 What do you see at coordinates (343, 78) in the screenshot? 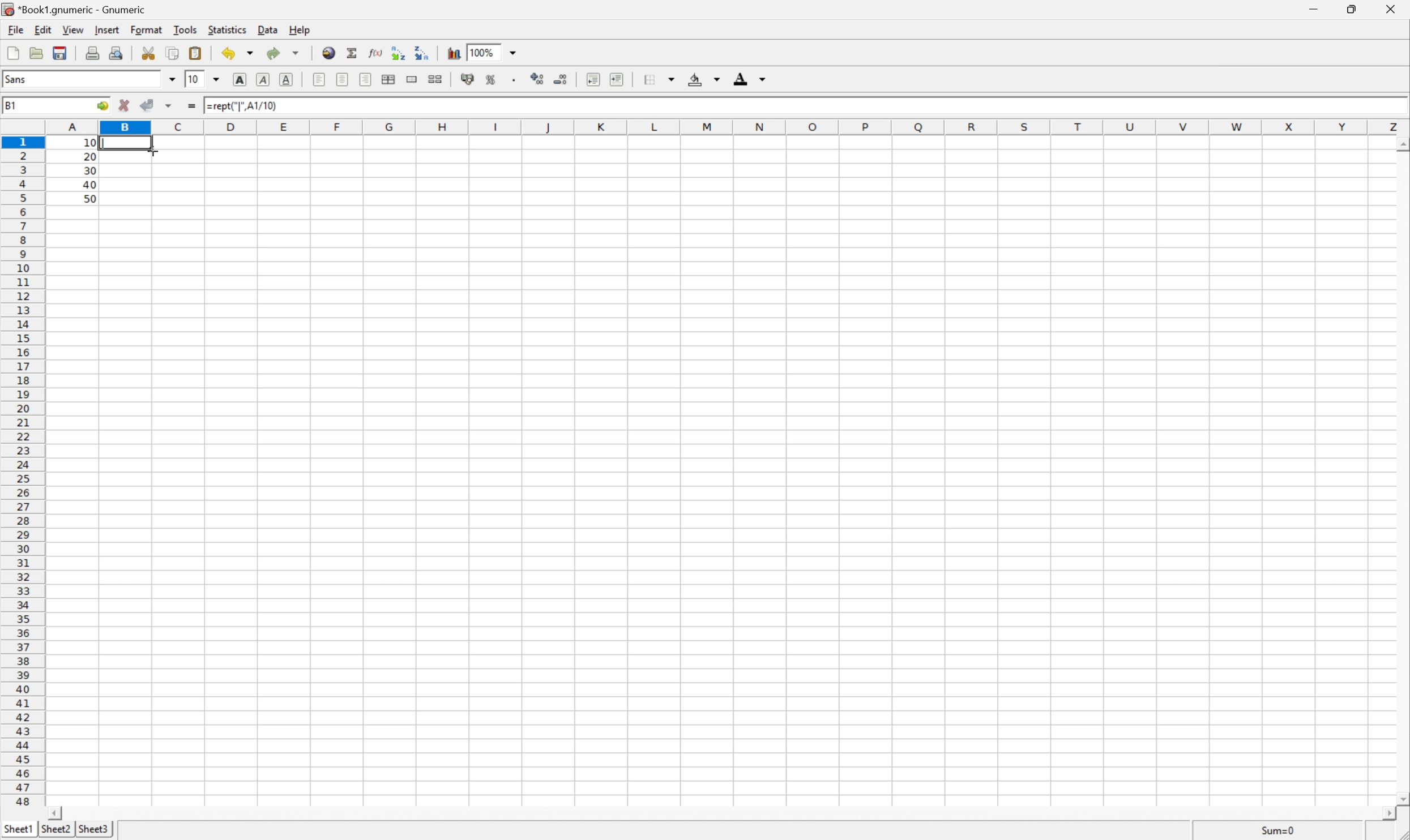
I see `Center Horizontally` at bounding box center [343, 78].